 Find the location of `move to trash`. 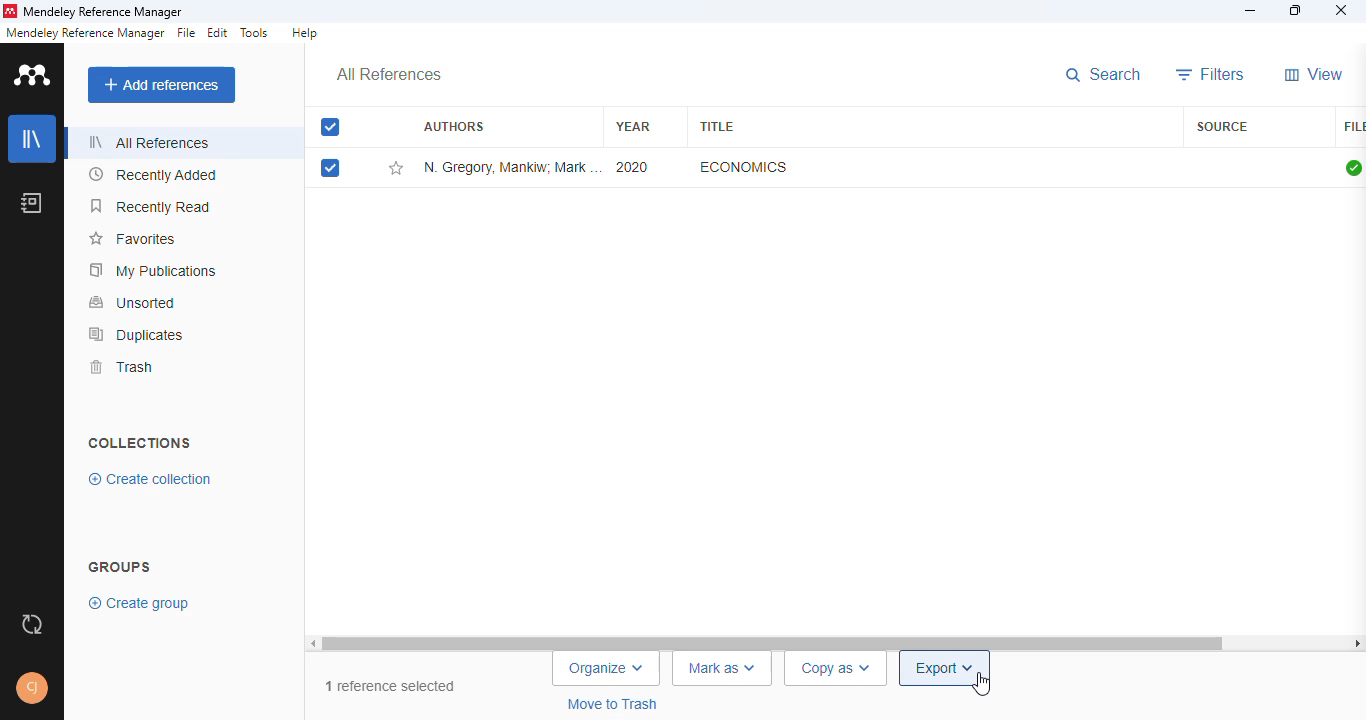

move to trash is located at coordinates (615, 704).